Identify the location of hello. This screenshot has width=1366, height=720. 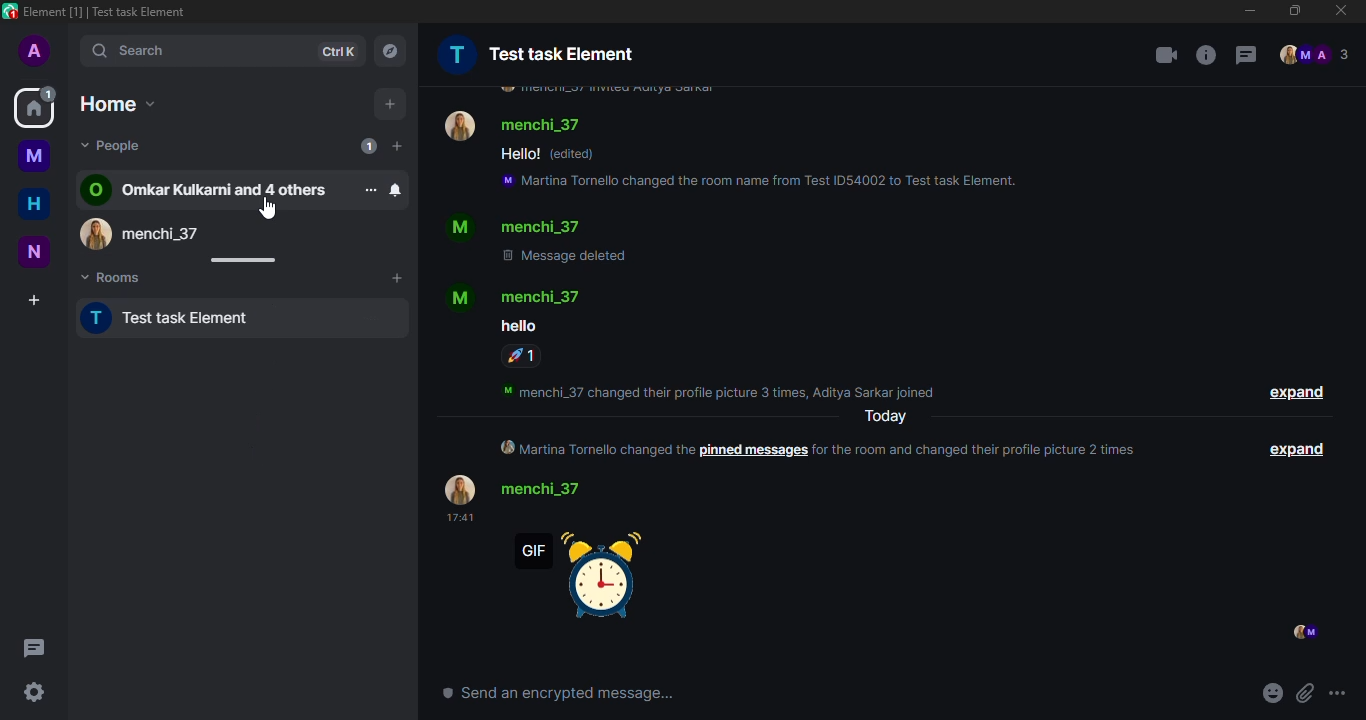
(516, 327).